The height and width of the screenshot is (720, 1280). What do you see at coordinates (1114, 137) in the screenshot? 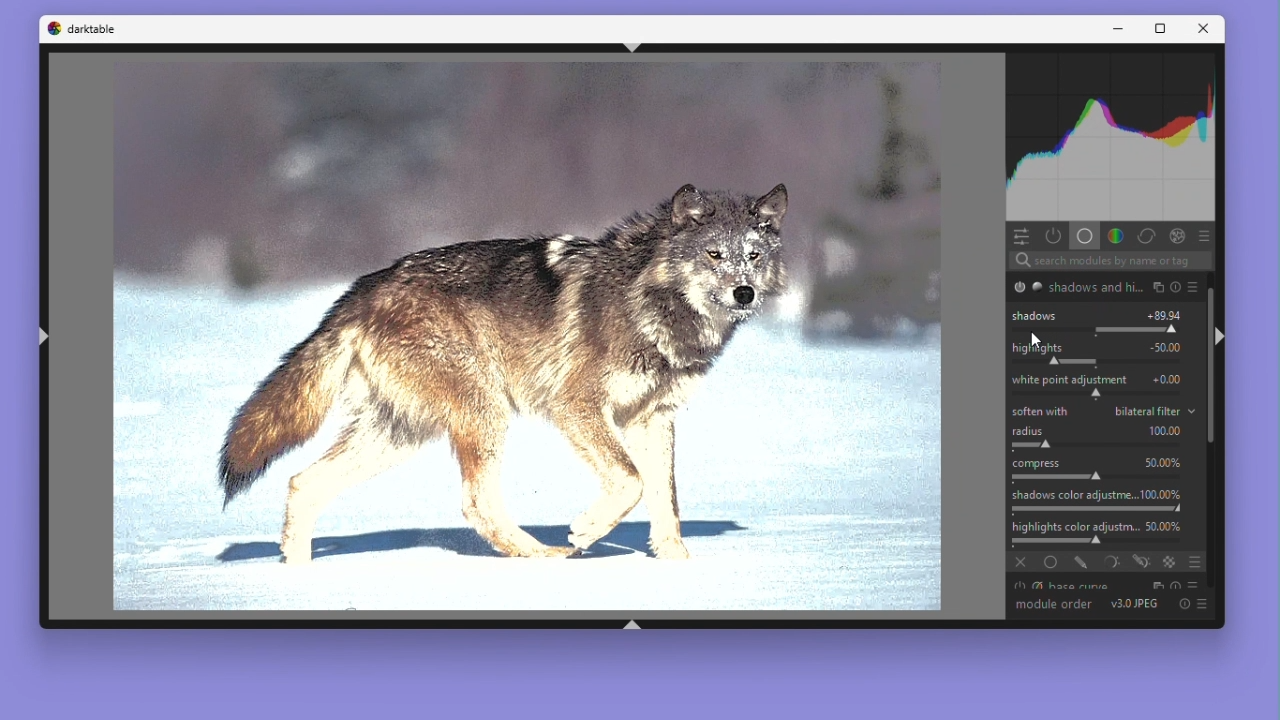
I see `Histogram` at bounding box center [1114, 137].